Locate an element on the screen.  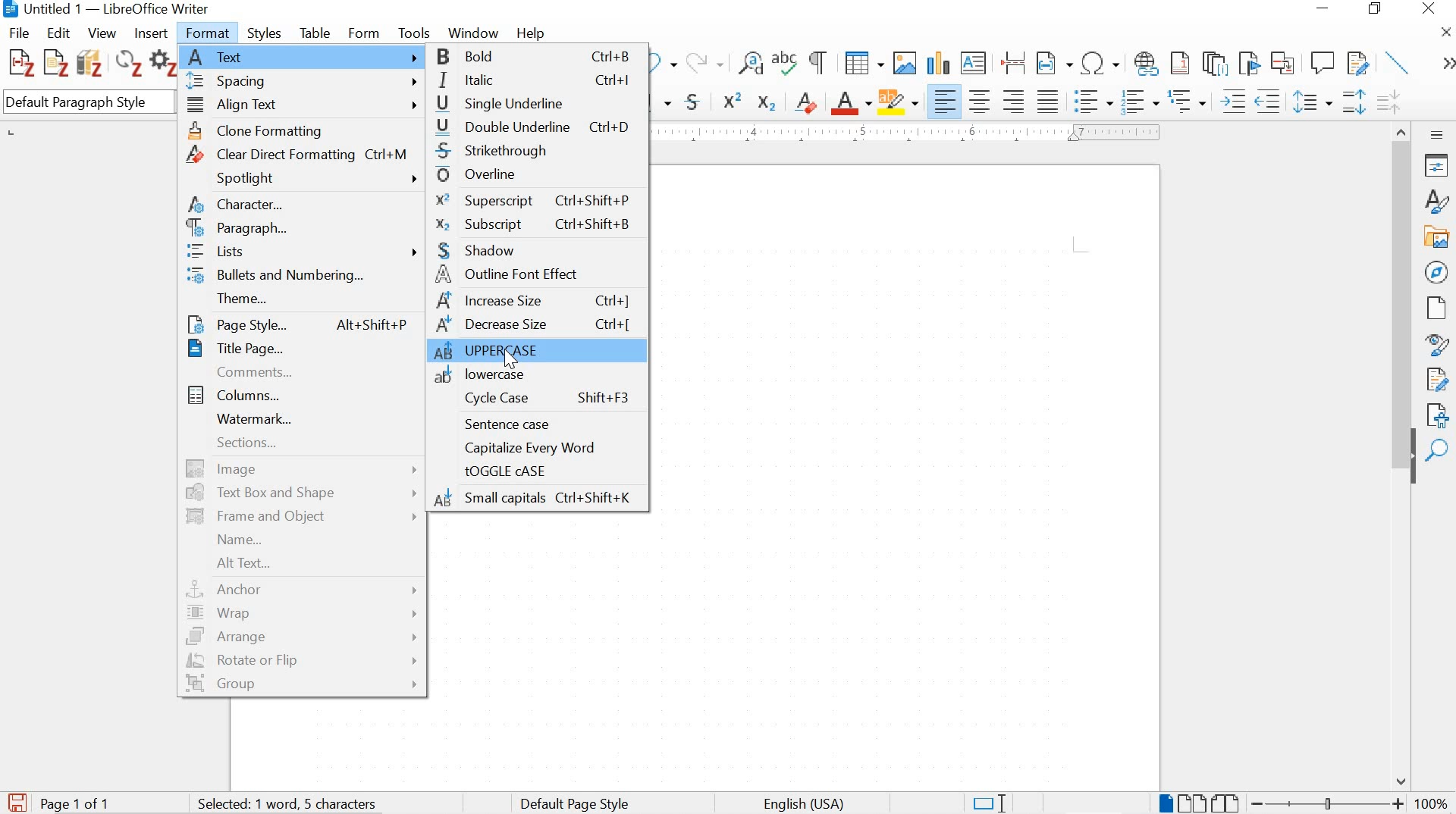
anchor is located at coordinates (304, 589).